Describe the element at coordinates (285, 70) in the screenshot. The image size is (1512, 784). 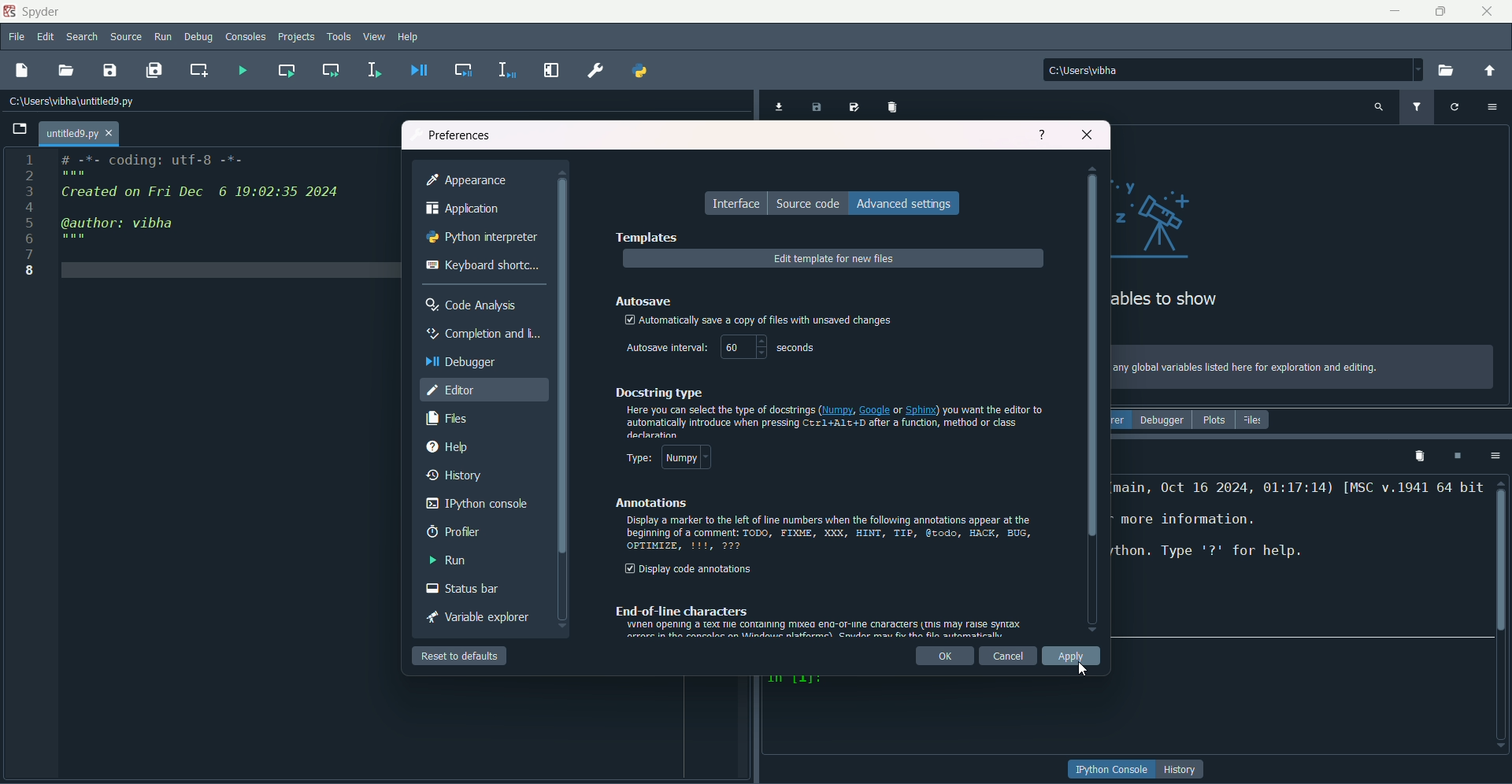
I see `run current cell` at that location.